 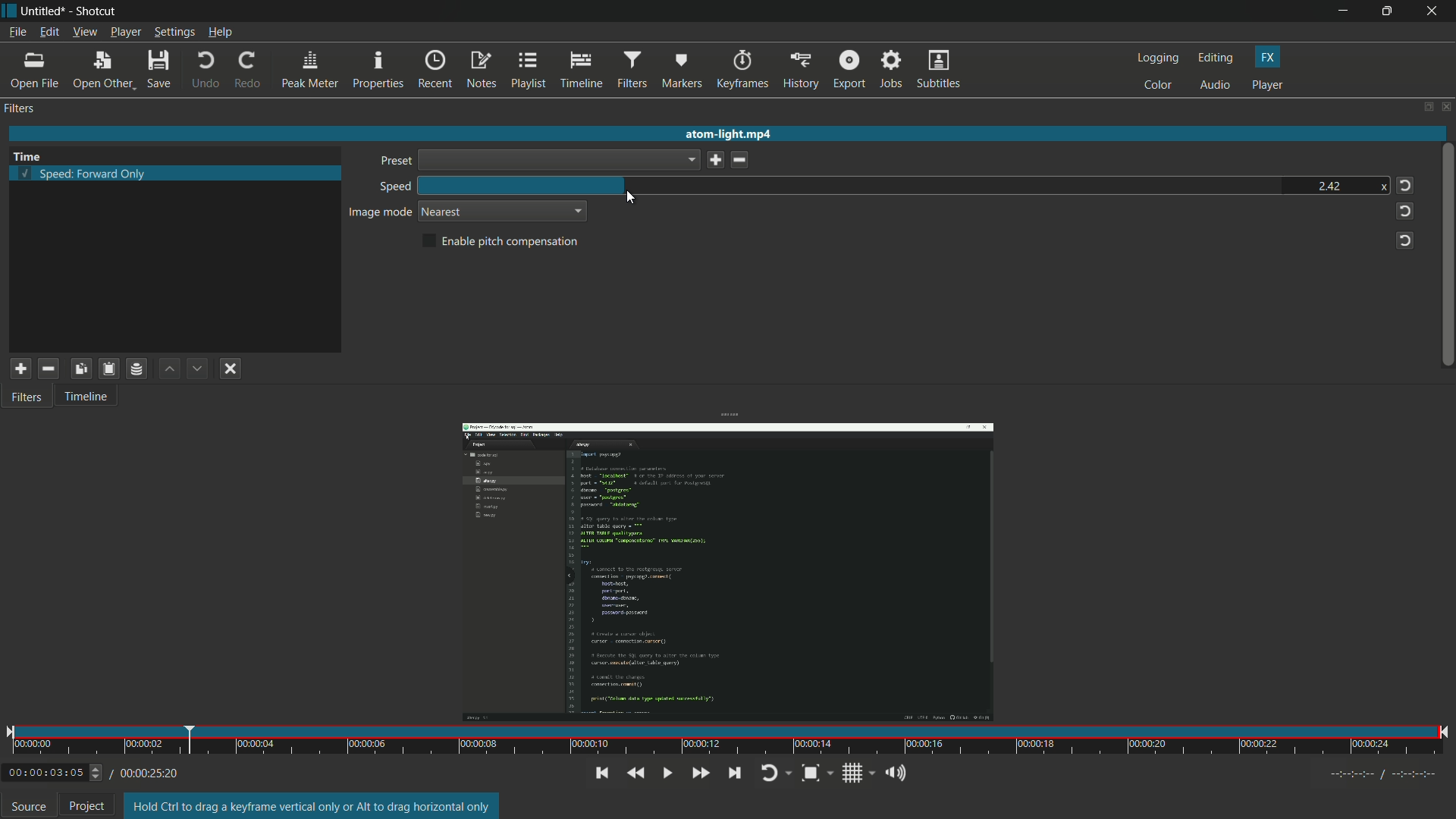 What do you see at coordinates (733, 132) in the screenshot?
I see `atom-light mp4 (opened file)` at bounding box center [733, 132].